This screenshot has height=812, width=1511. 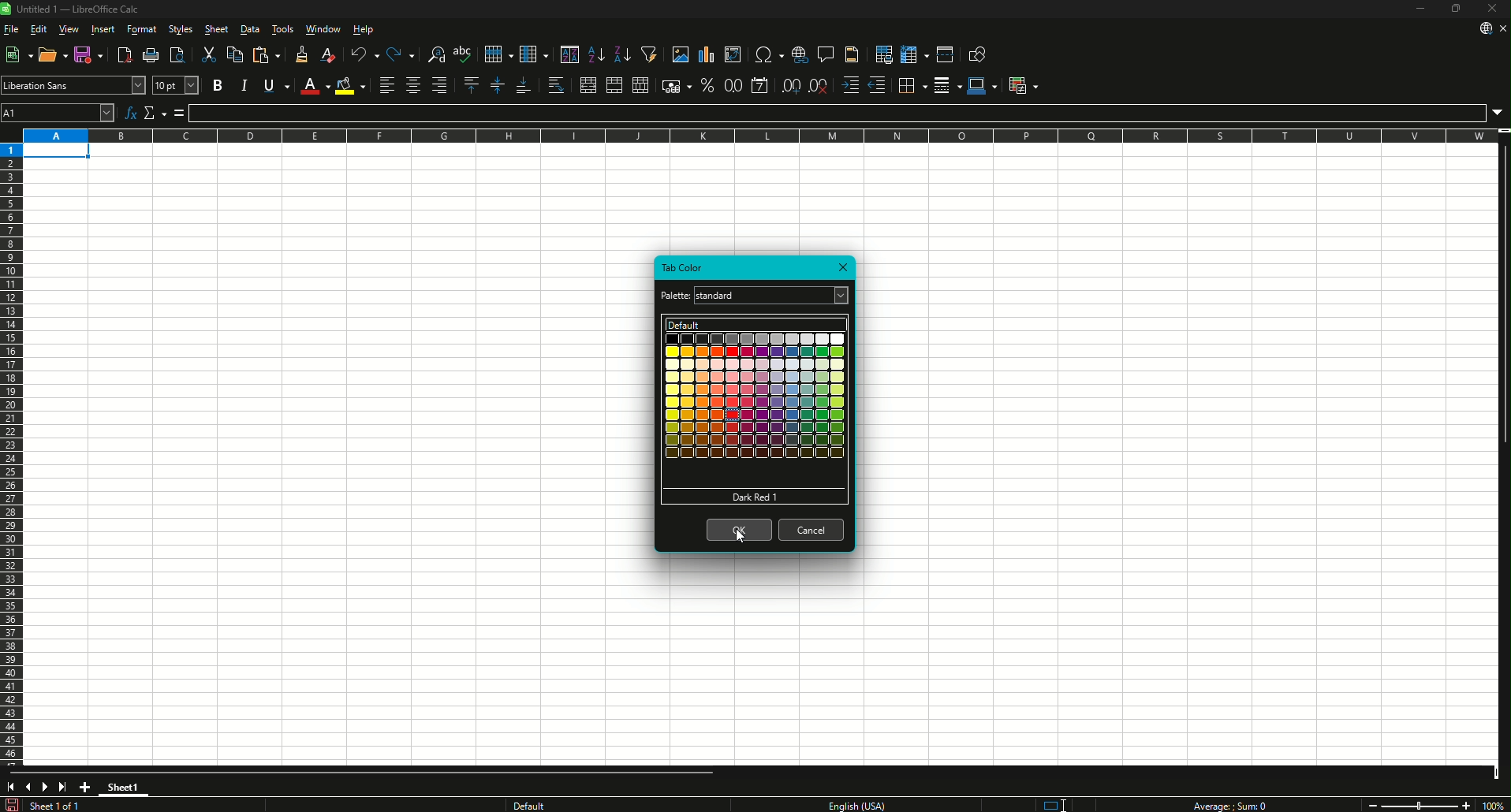 I want to click on Text, so click(x=675, y=296).